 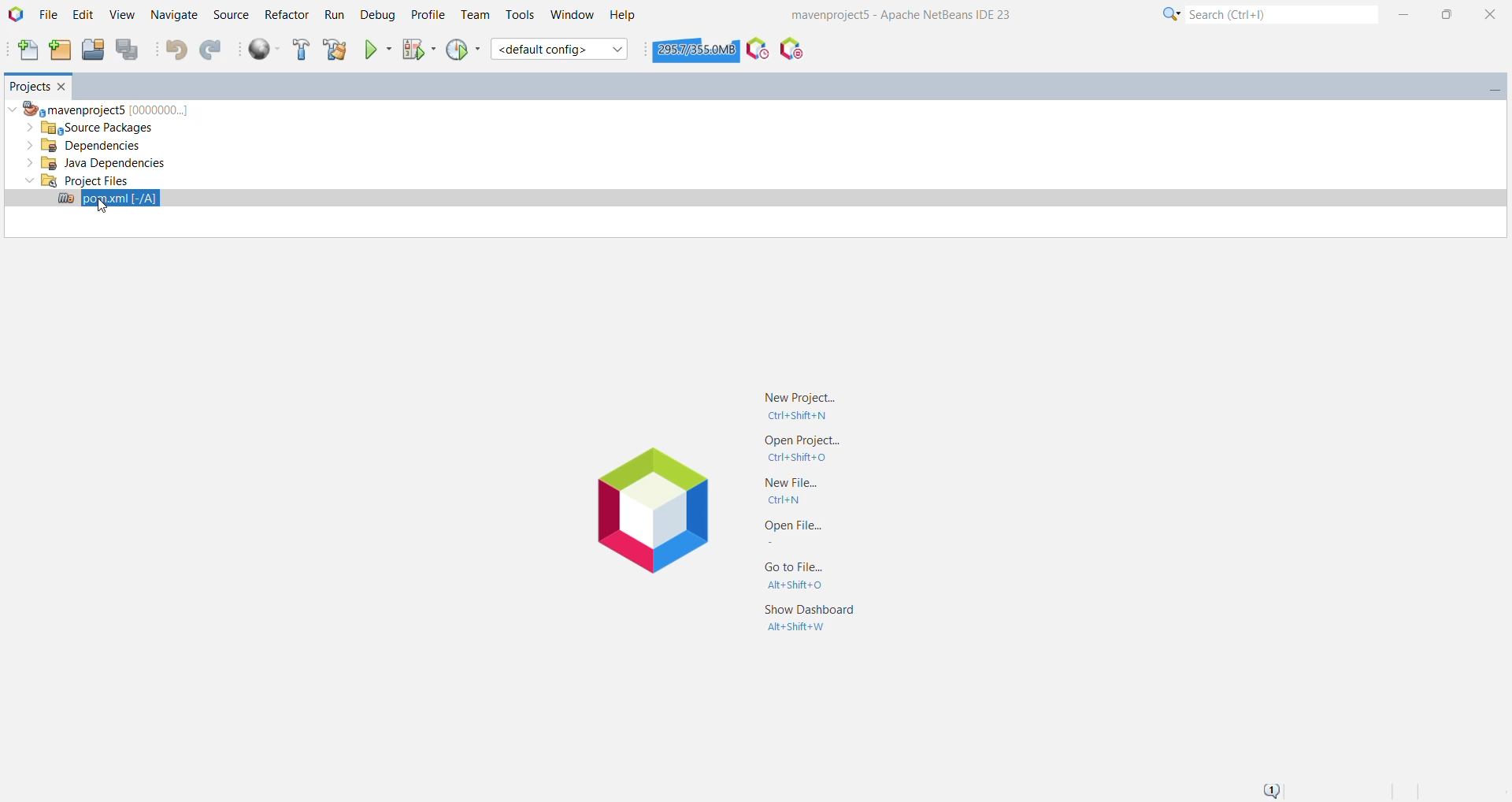 What do you see at coordinates (802, 405) in the screenshot?
I see `New Project` at bounding box center [802, 405].